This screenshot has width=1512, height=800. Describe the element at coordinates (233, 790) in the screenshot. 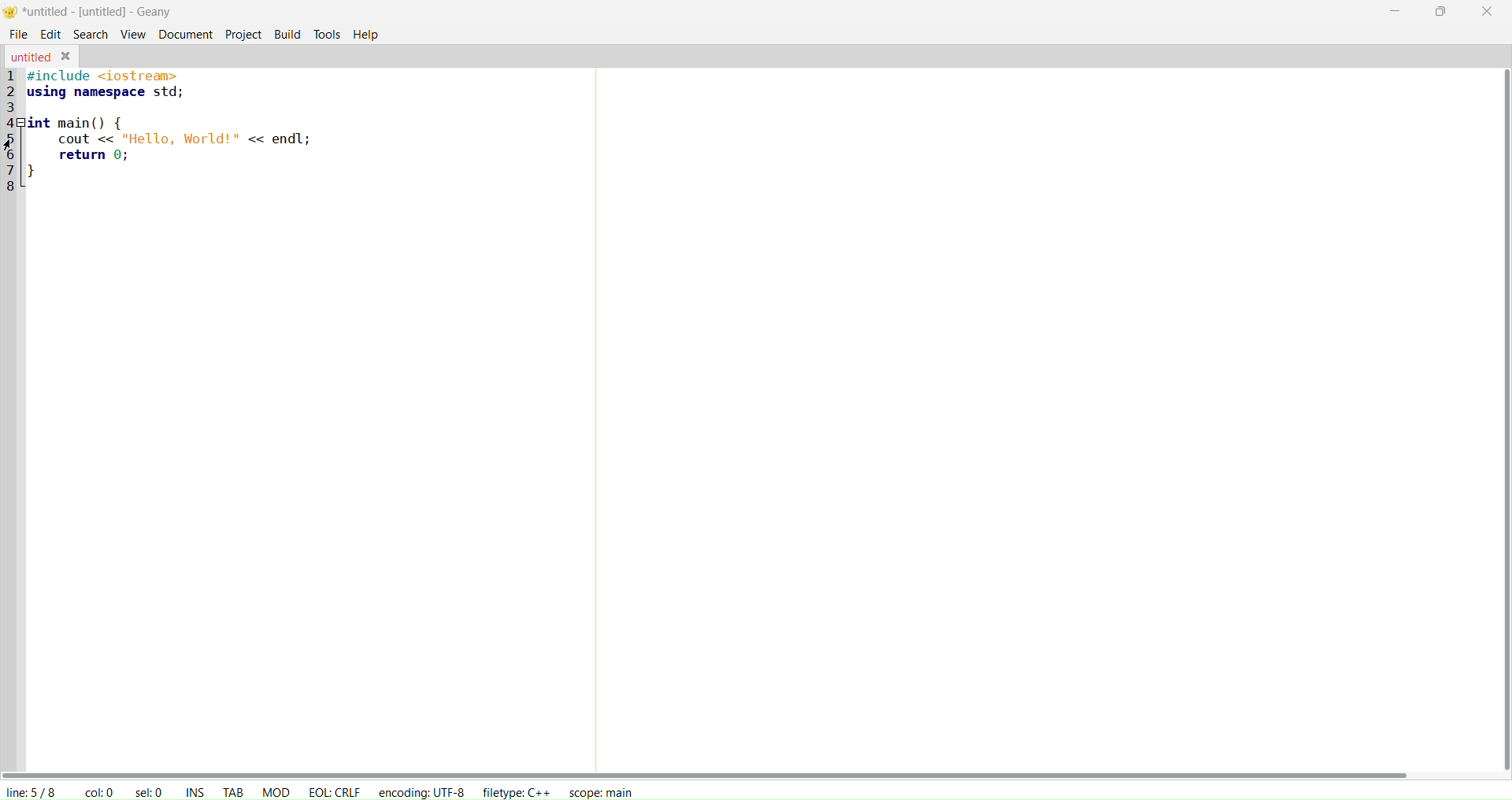

I see `tab` at that location.